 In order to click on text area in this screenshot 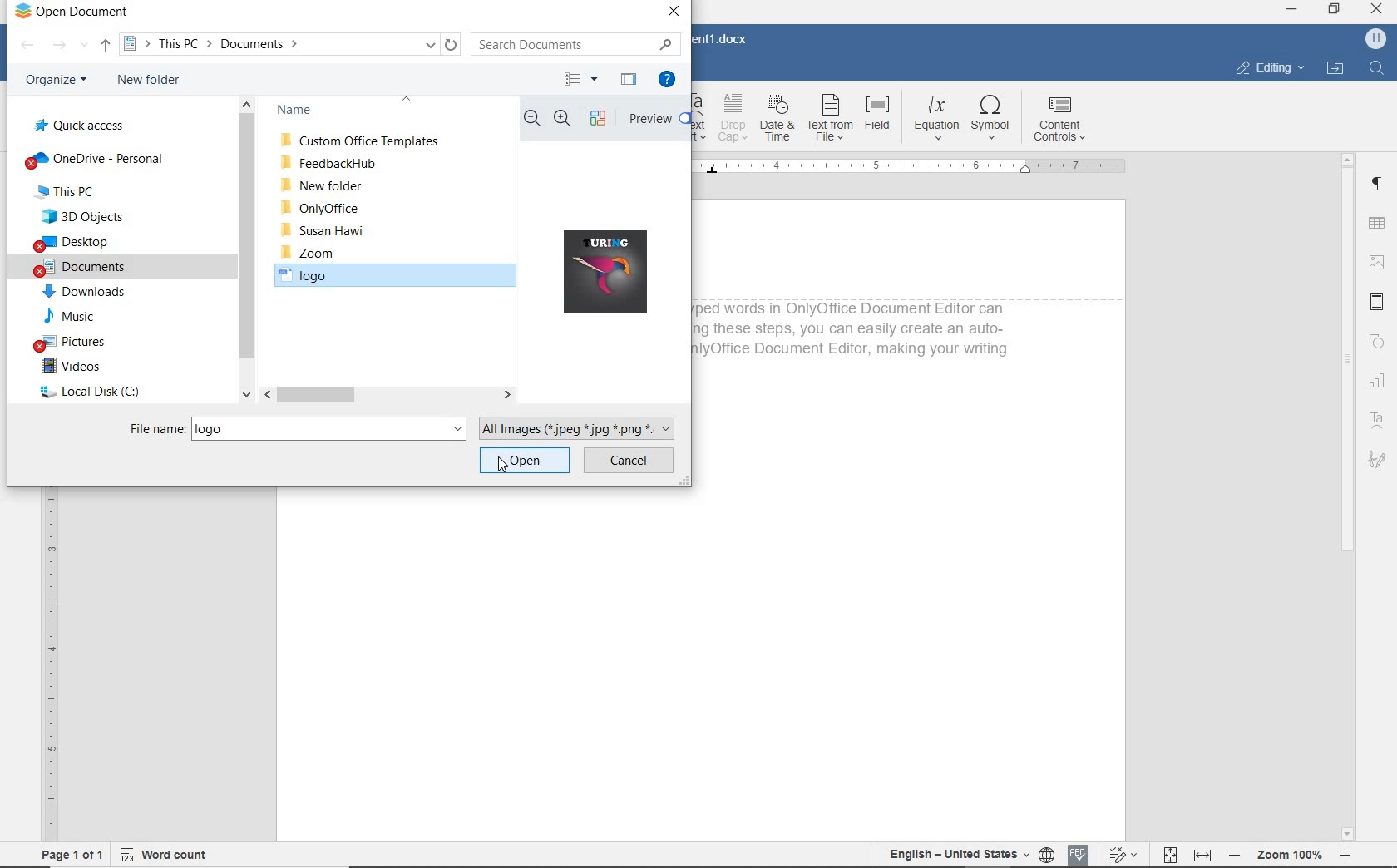, I will do `click(1378, 420)`.